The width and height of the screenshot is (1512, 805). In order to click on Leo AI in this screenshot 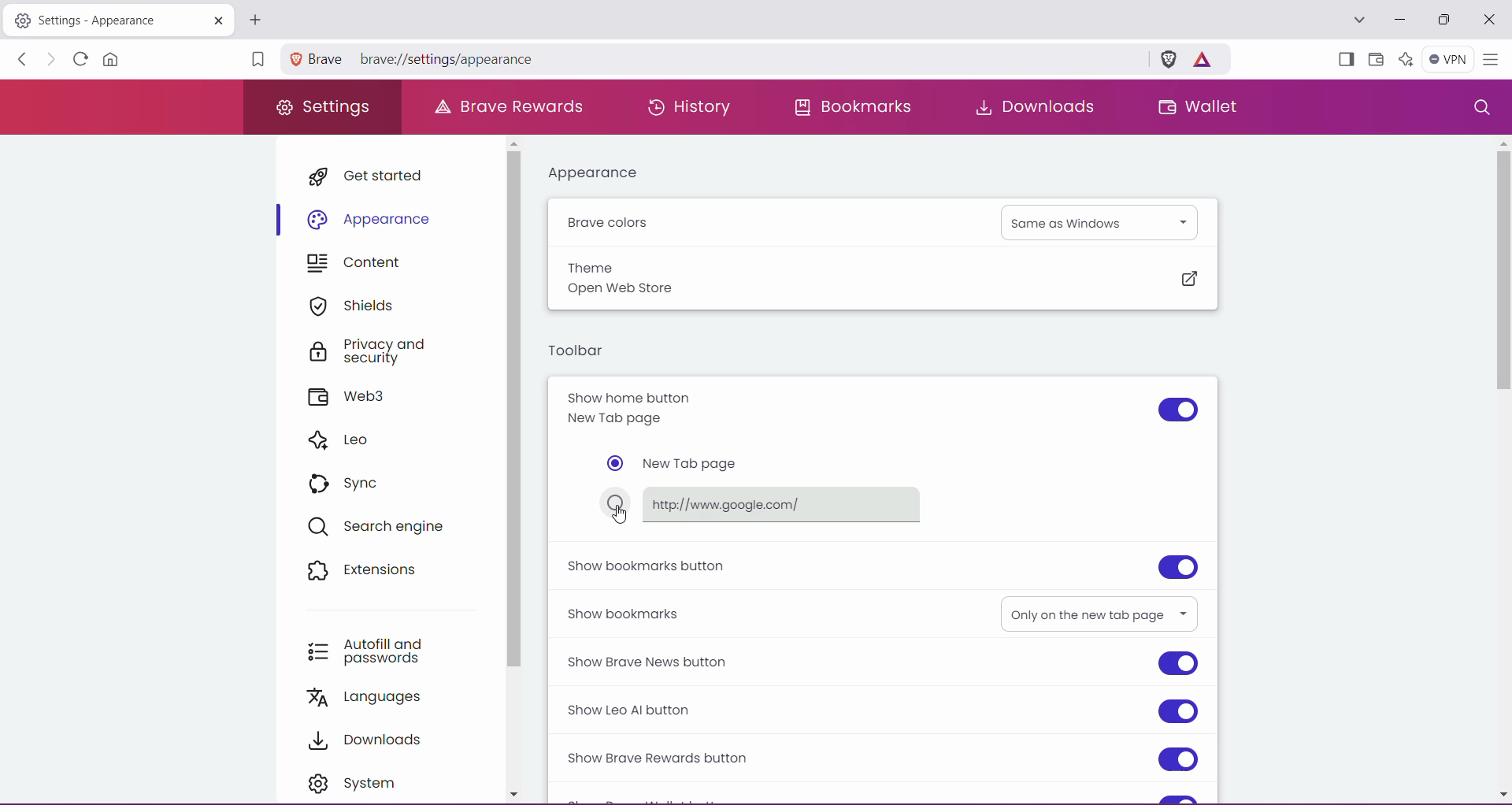, I will do `click(1404, 58)`.